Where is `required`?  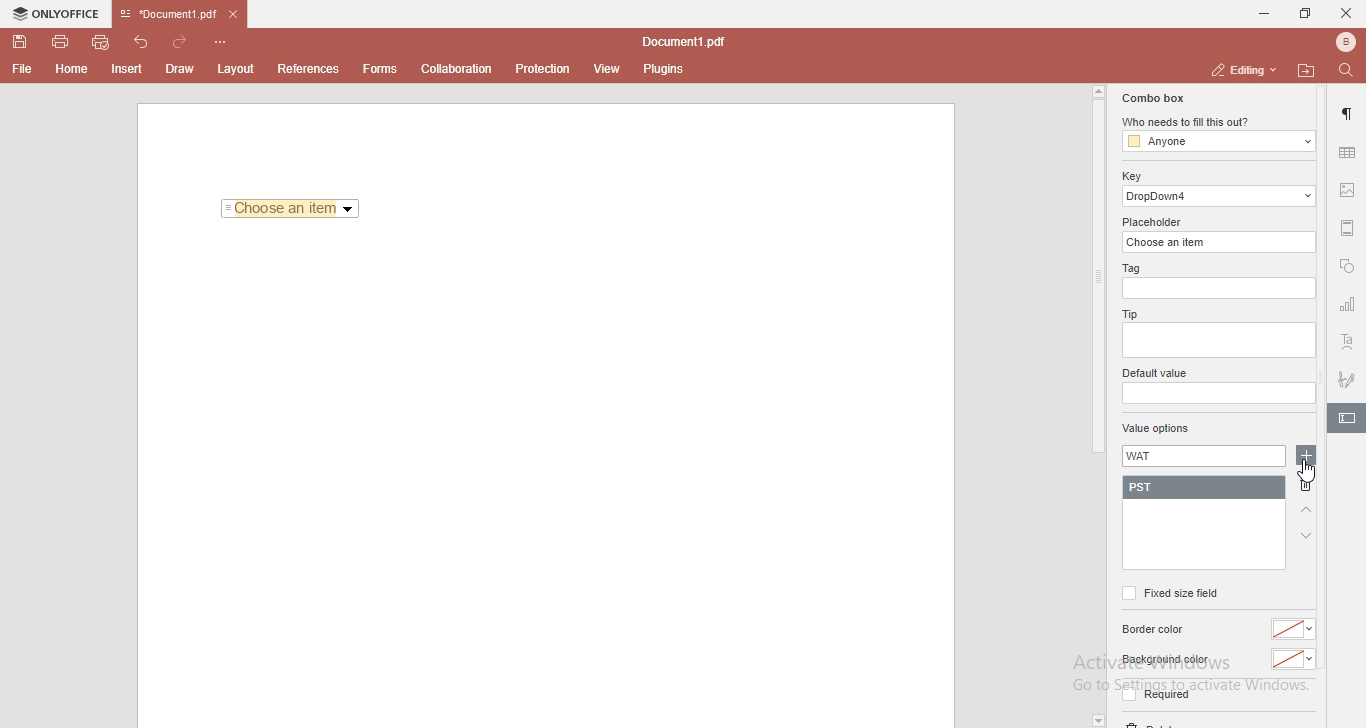 required is located at coordinates (1154, 698).